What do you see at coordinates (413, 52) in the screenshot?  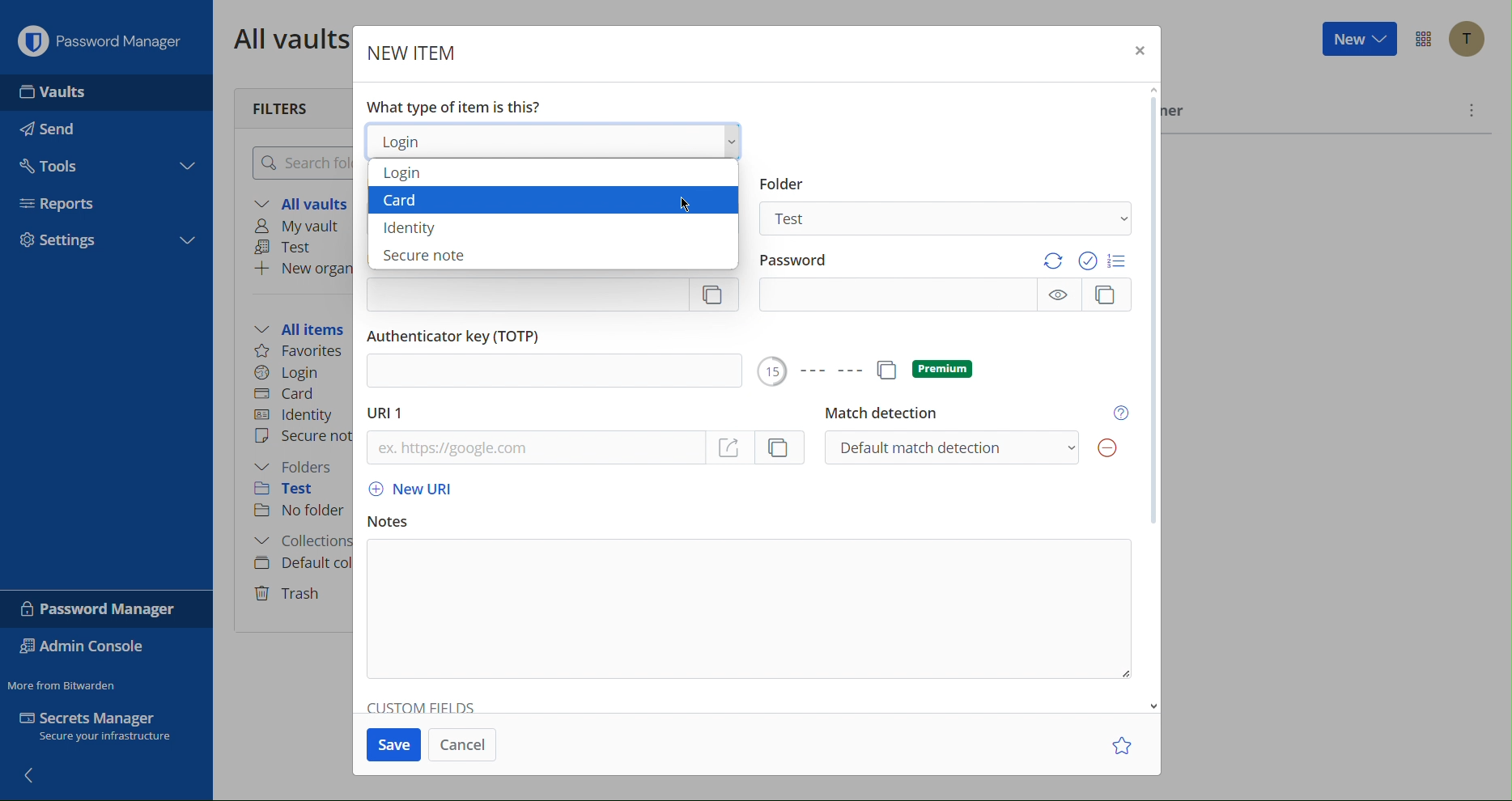 I see `New Item` at bounding box center [413, 52].